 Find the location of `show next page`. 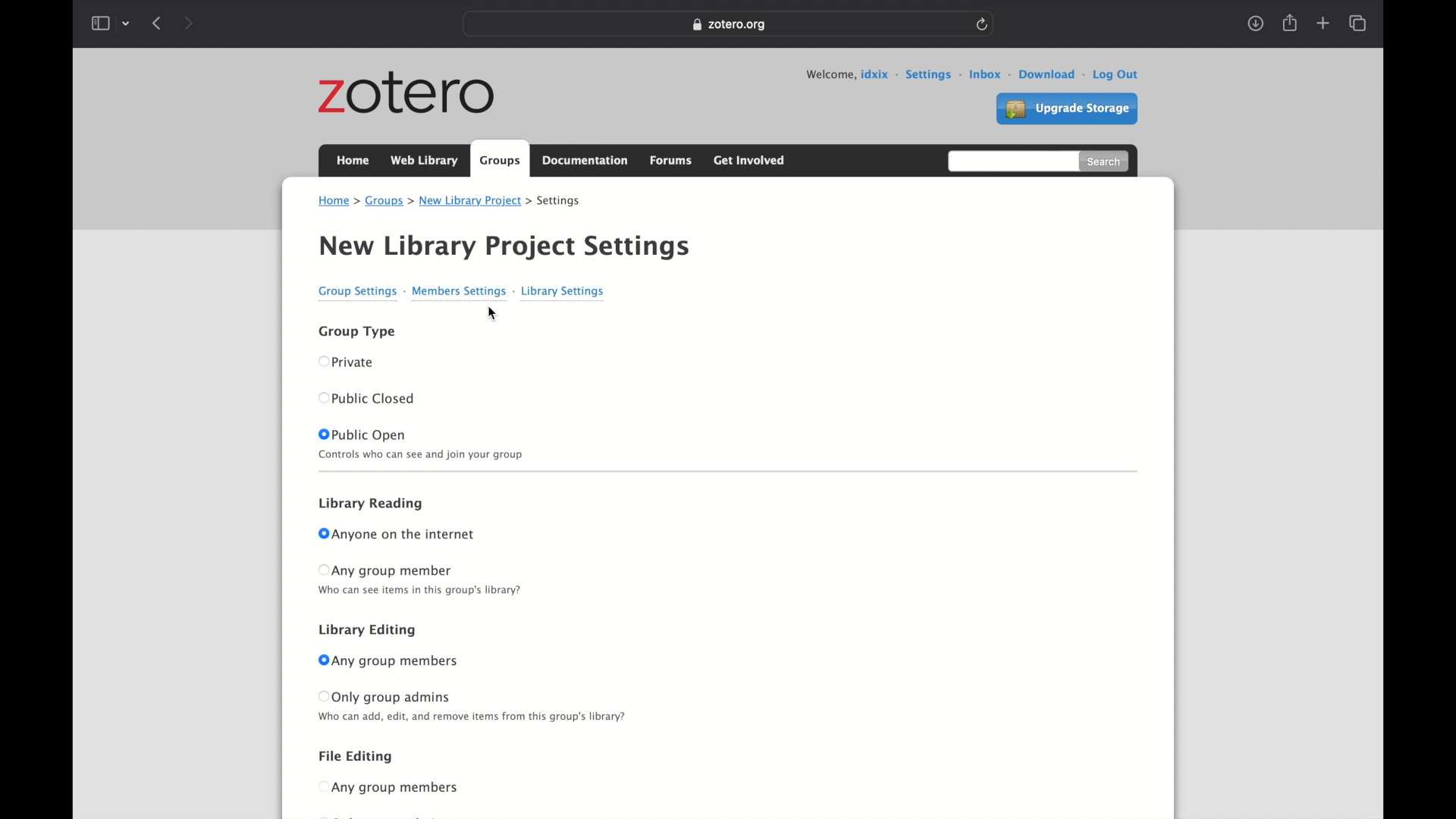

show next page is located at coordinates (188, 23).